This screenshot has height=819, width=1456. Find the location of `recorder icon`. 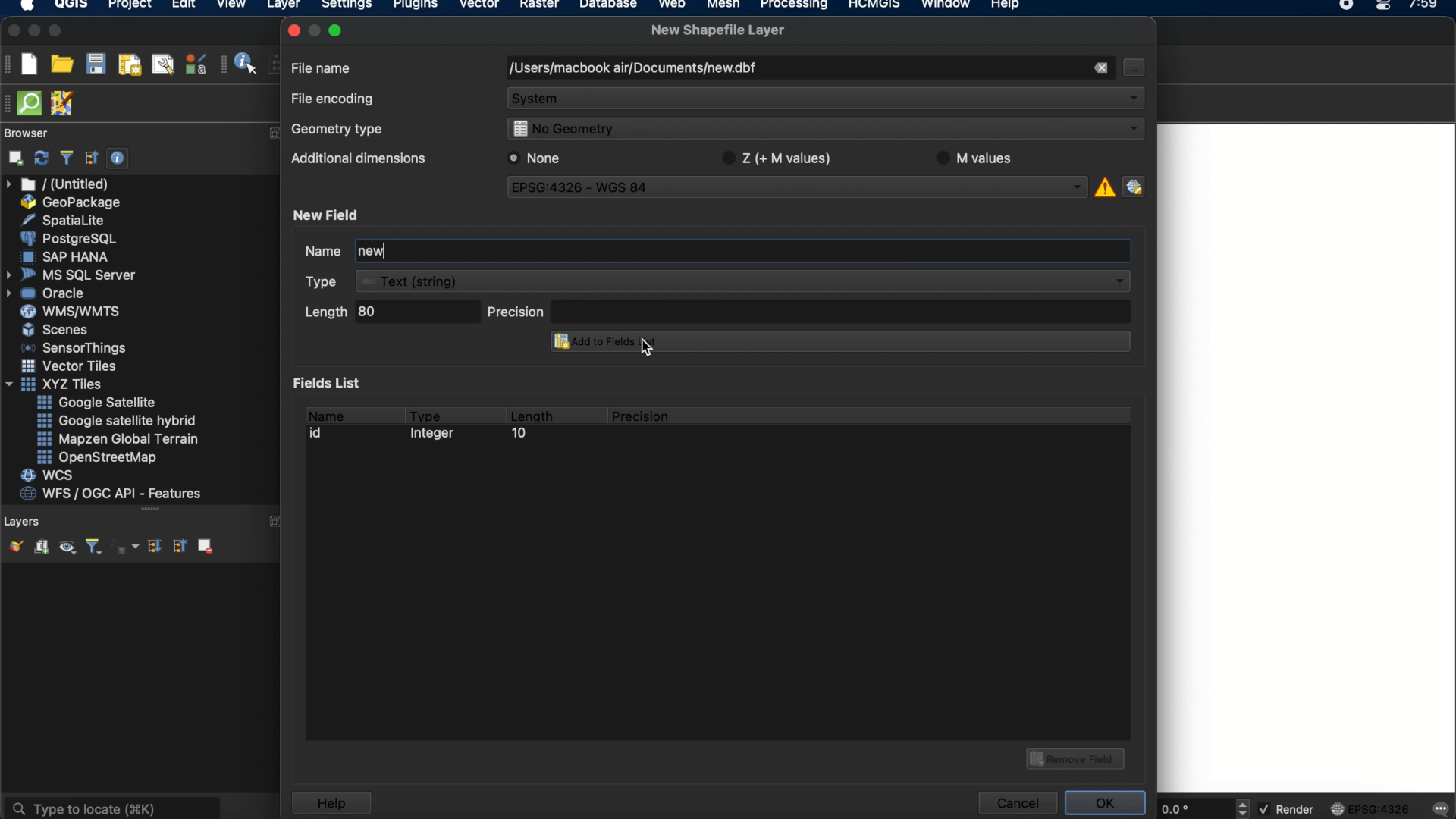

recorder icon is located at coordinates (1348, 6).